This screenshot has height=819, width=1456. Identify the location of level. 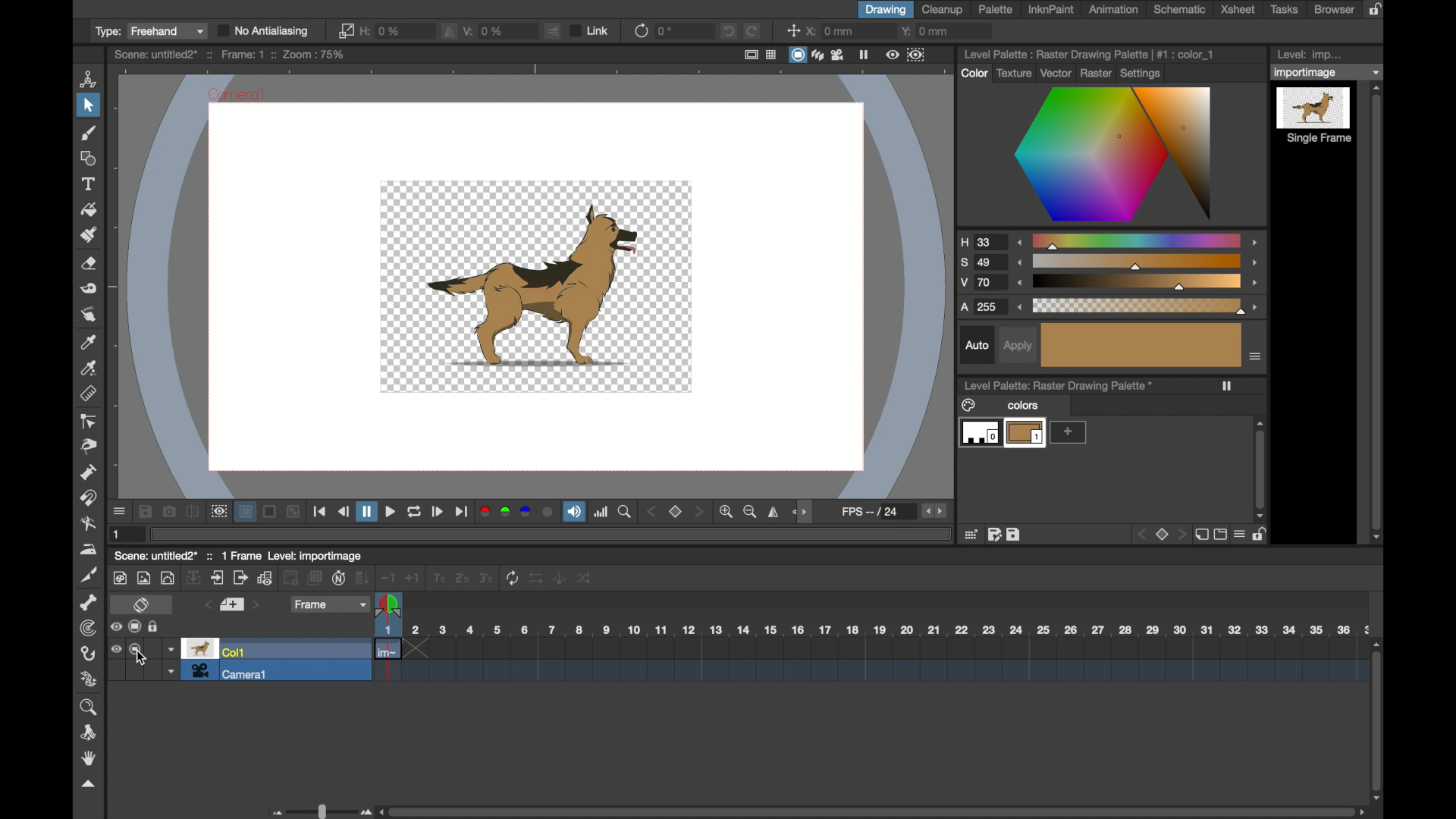
(1315, 116).